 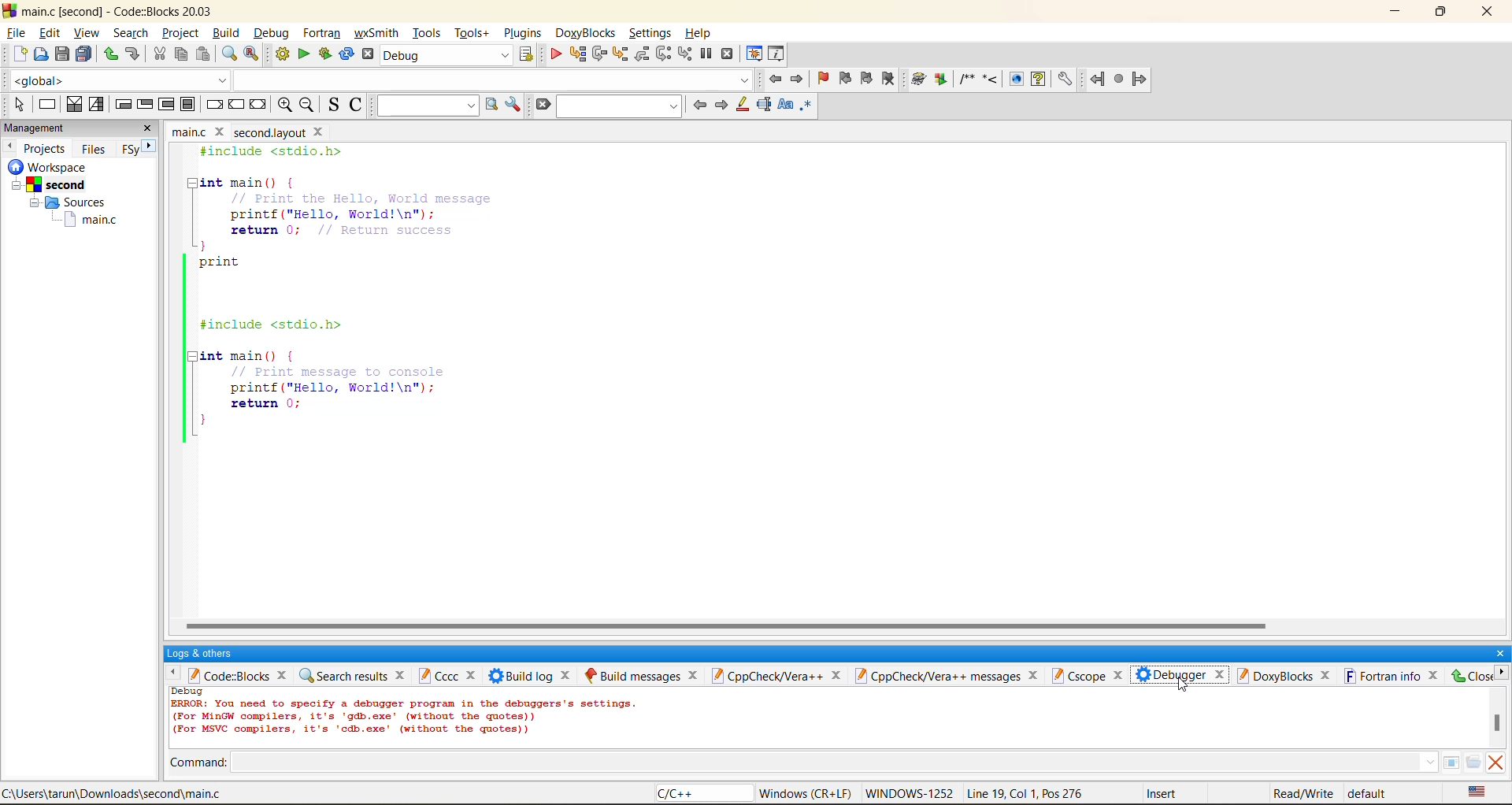 I want to click on fortran info, so click(x=1394, y=677).